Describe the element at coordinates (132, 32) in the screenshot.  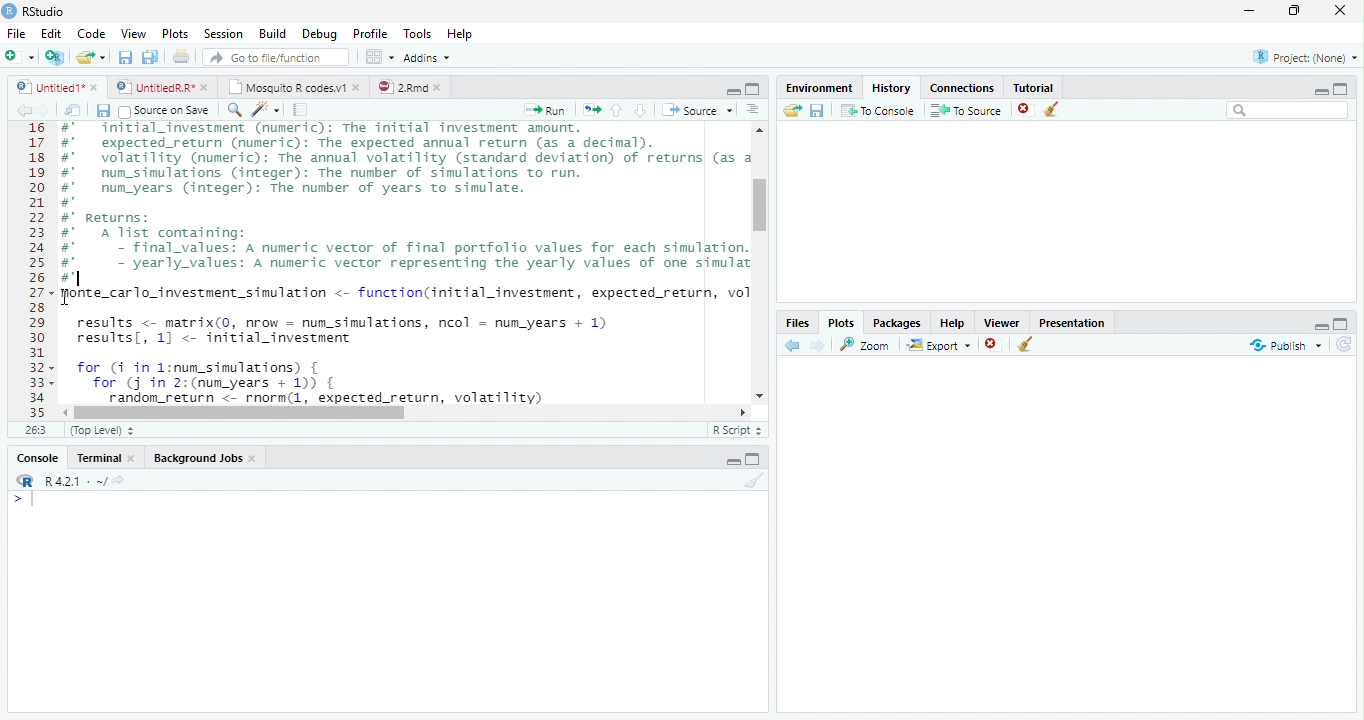
I see `View` at that location.